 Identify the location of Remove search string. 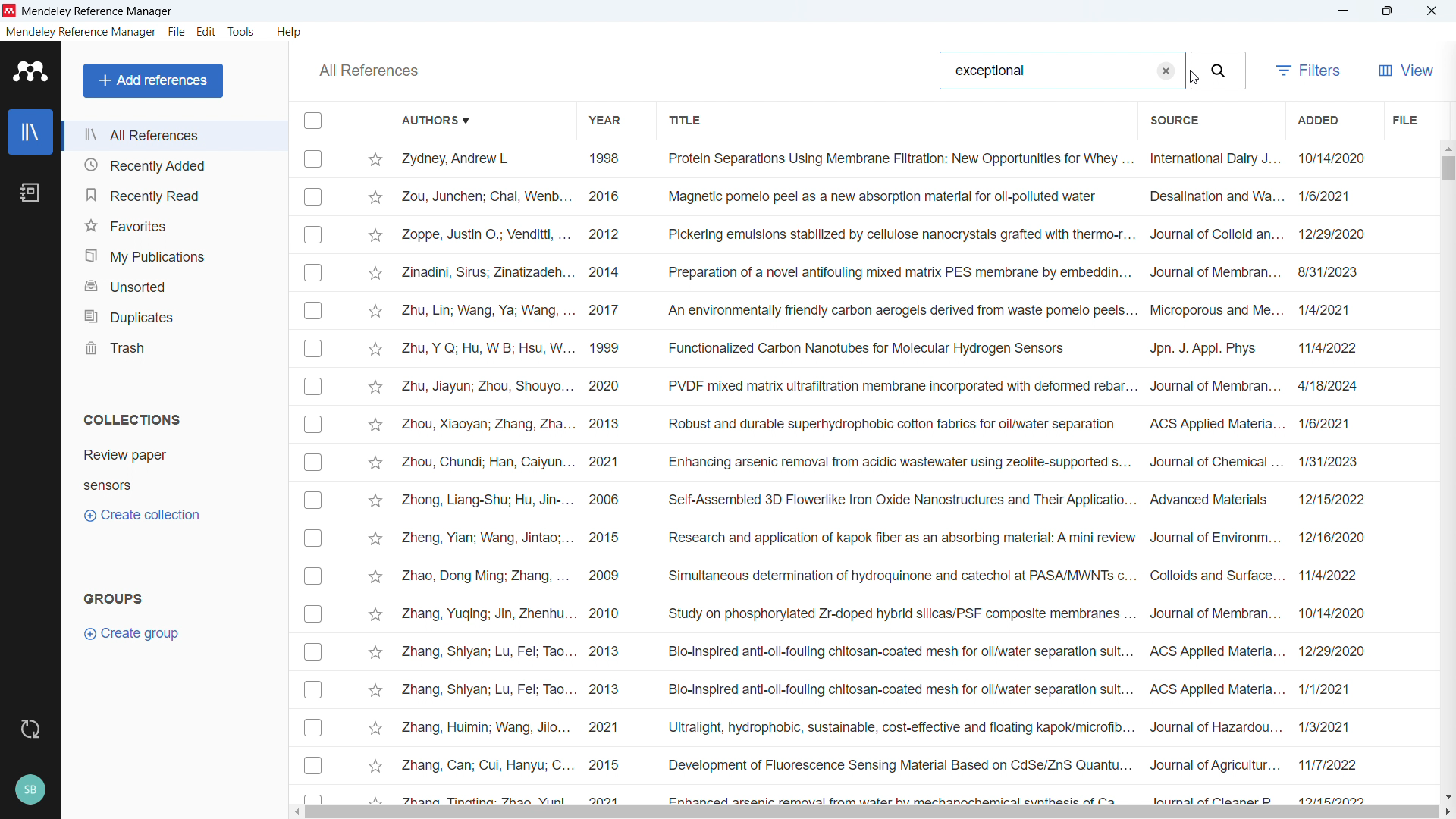
(1166, 71).